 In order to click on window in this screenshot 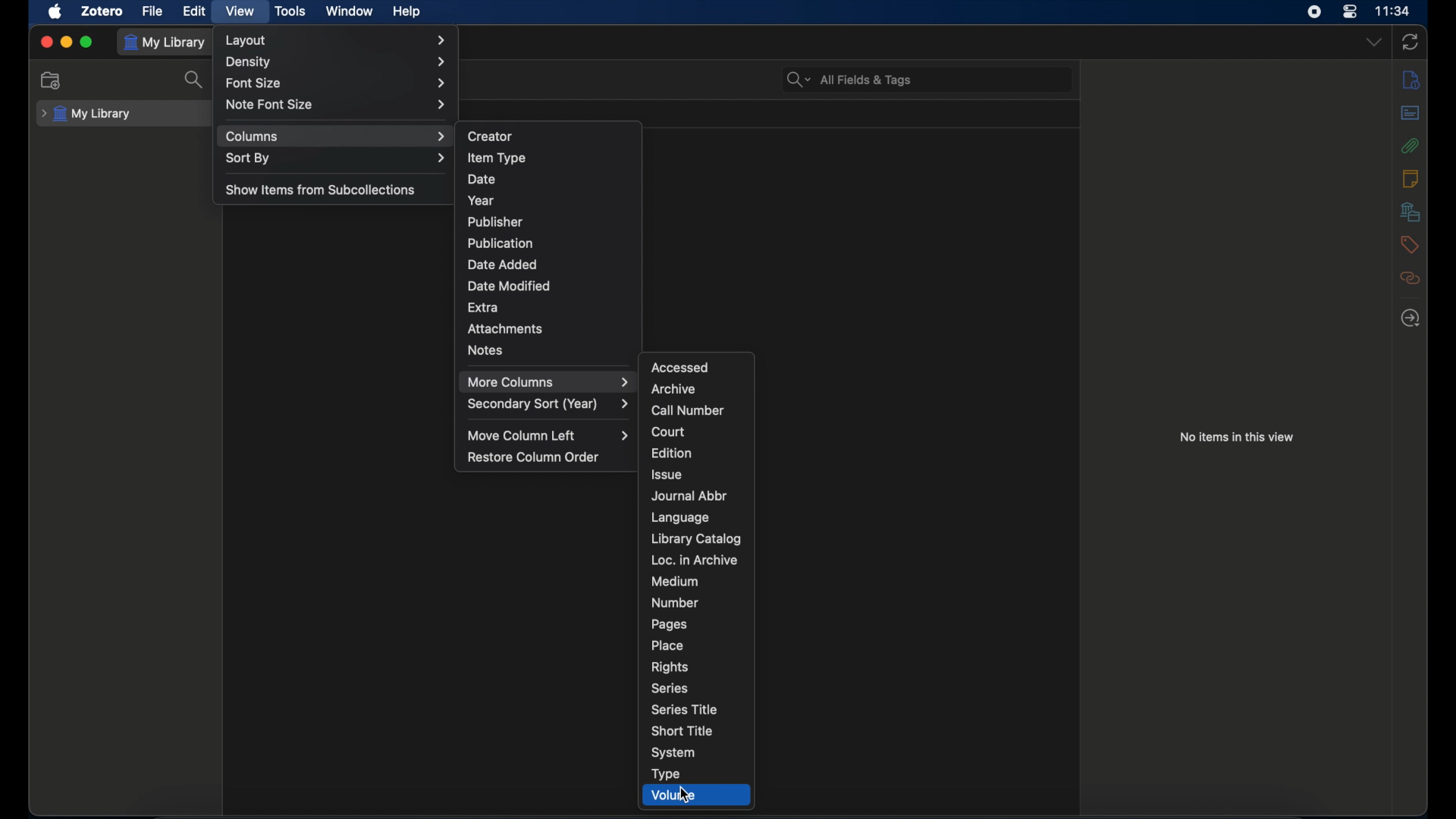, I will do `click(350, 11)`.